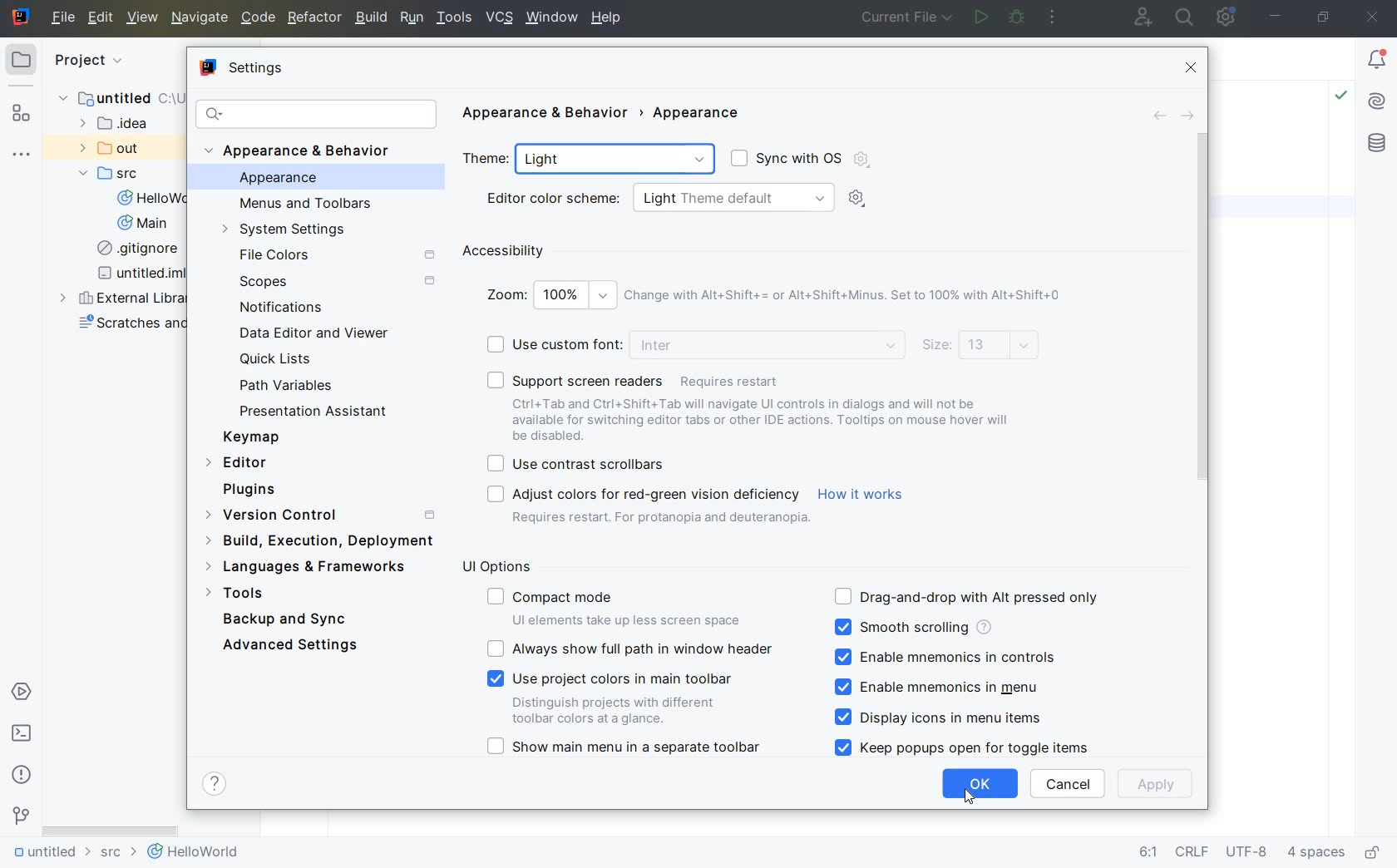  What do you see at coordinates (239, 464) in the screenshot?
I see `EDITOR` at bounding box center [239, 464].